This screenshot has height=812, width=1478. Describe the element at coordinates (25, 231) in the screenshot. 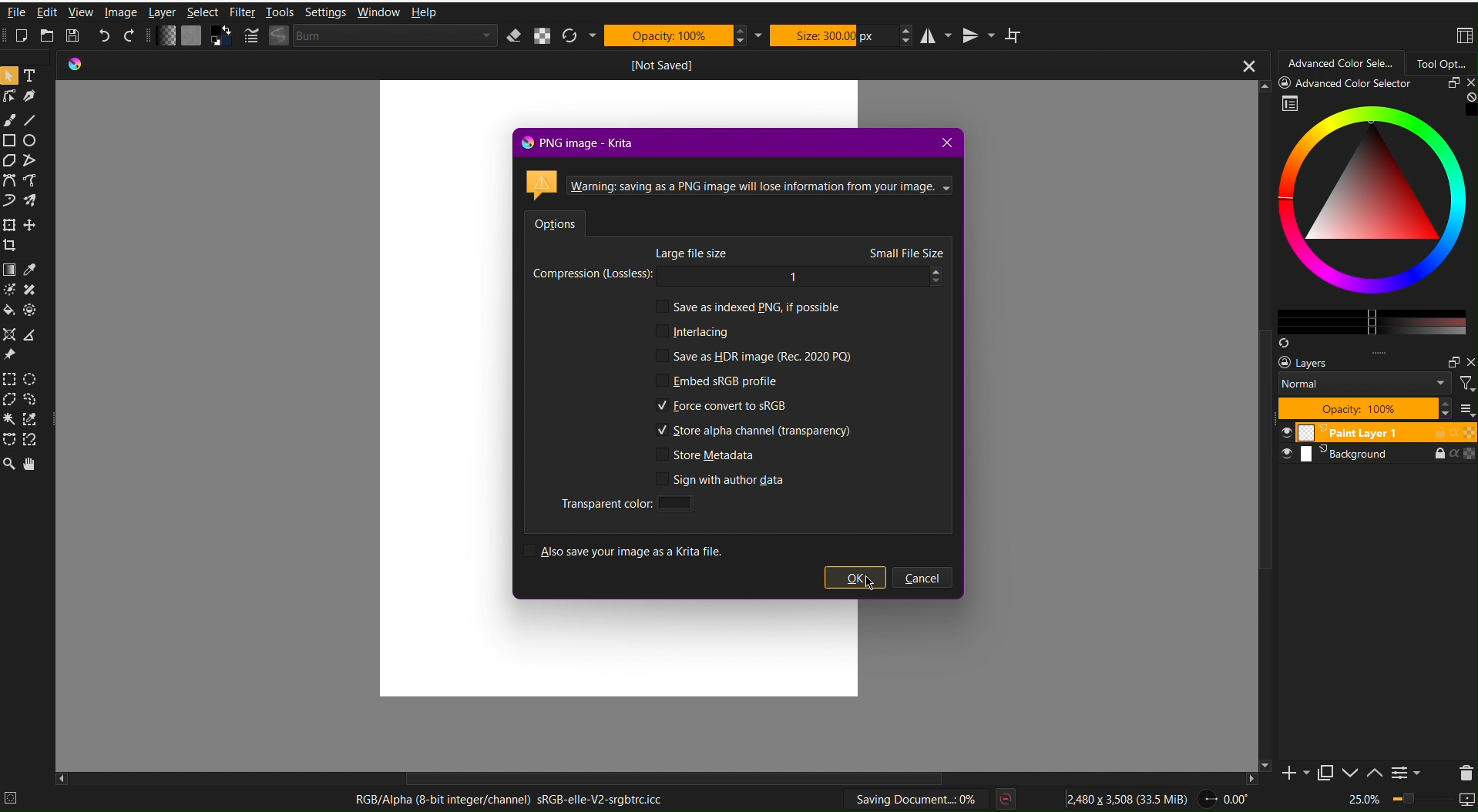

I see `Move Tools` at that location.